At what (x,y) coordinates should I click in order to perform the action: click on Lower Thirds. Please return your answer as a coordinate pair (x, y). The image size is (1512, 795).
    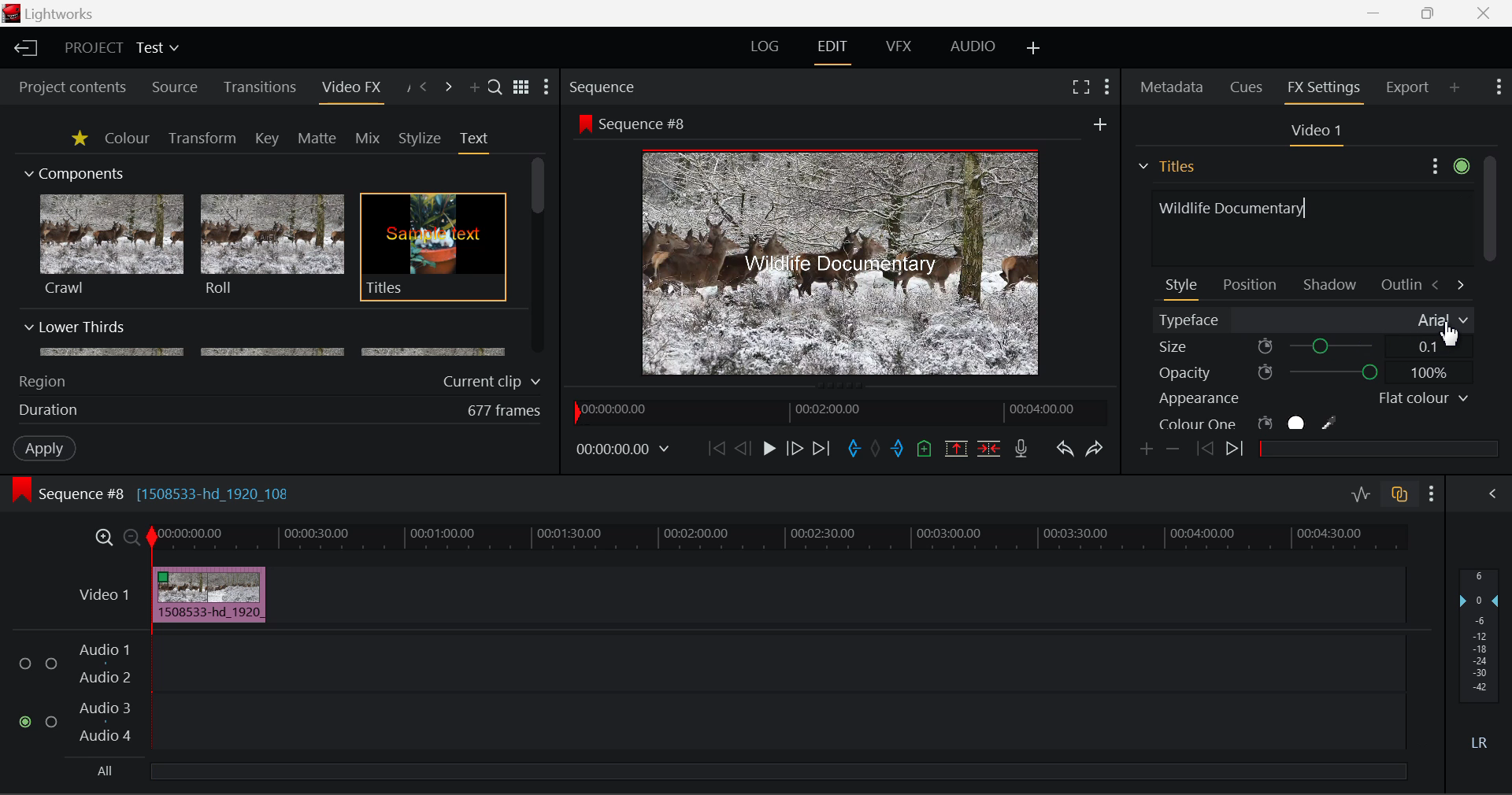
    Looking at the image, I should click on (266, 338).